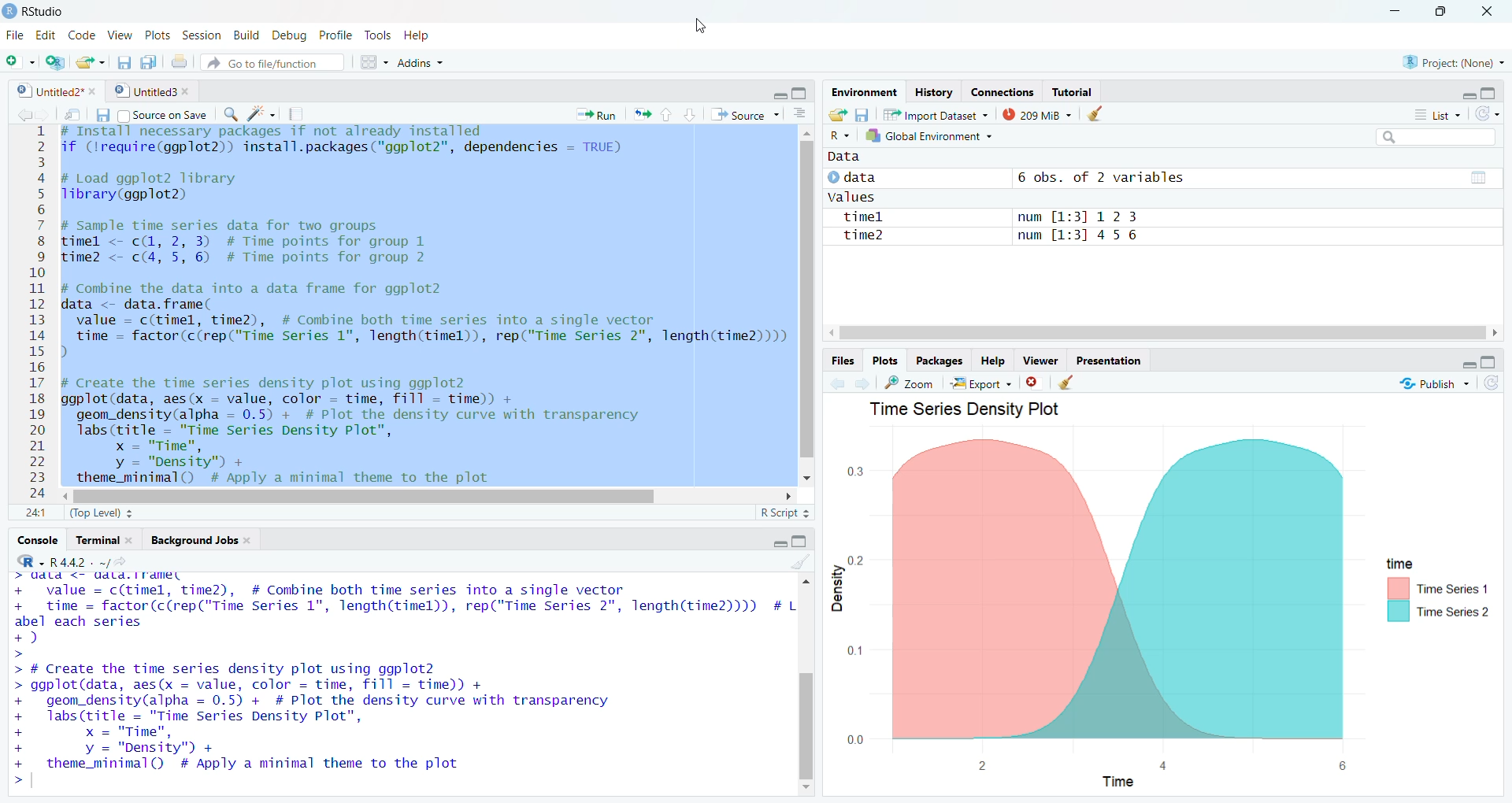 The width and height of the screenshot is (1512, 803). What do you see at coordinates (986, 235) in the screenshot?
I see `time2 num [1:3] 45 6` at bounding box center [986, 235].